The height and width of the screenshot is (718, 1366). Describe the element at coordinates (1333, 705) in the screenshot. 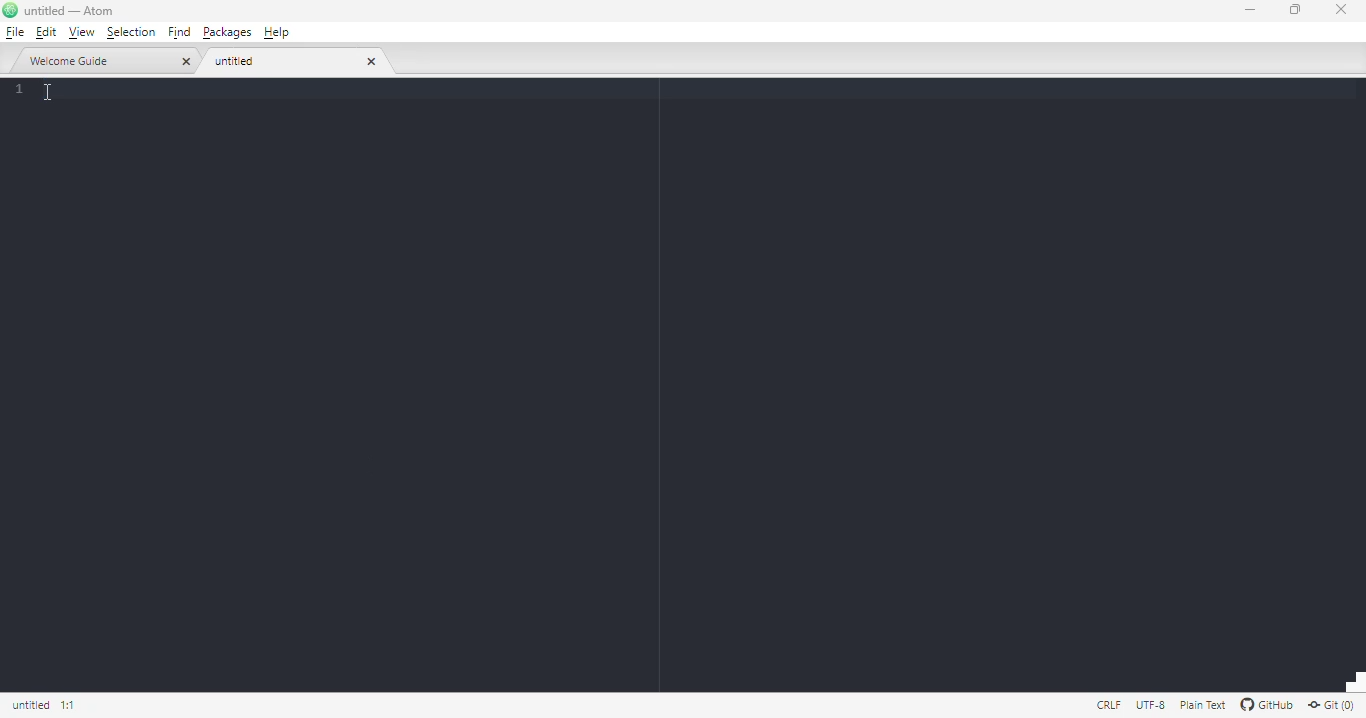

I see `git(0)` at that location.